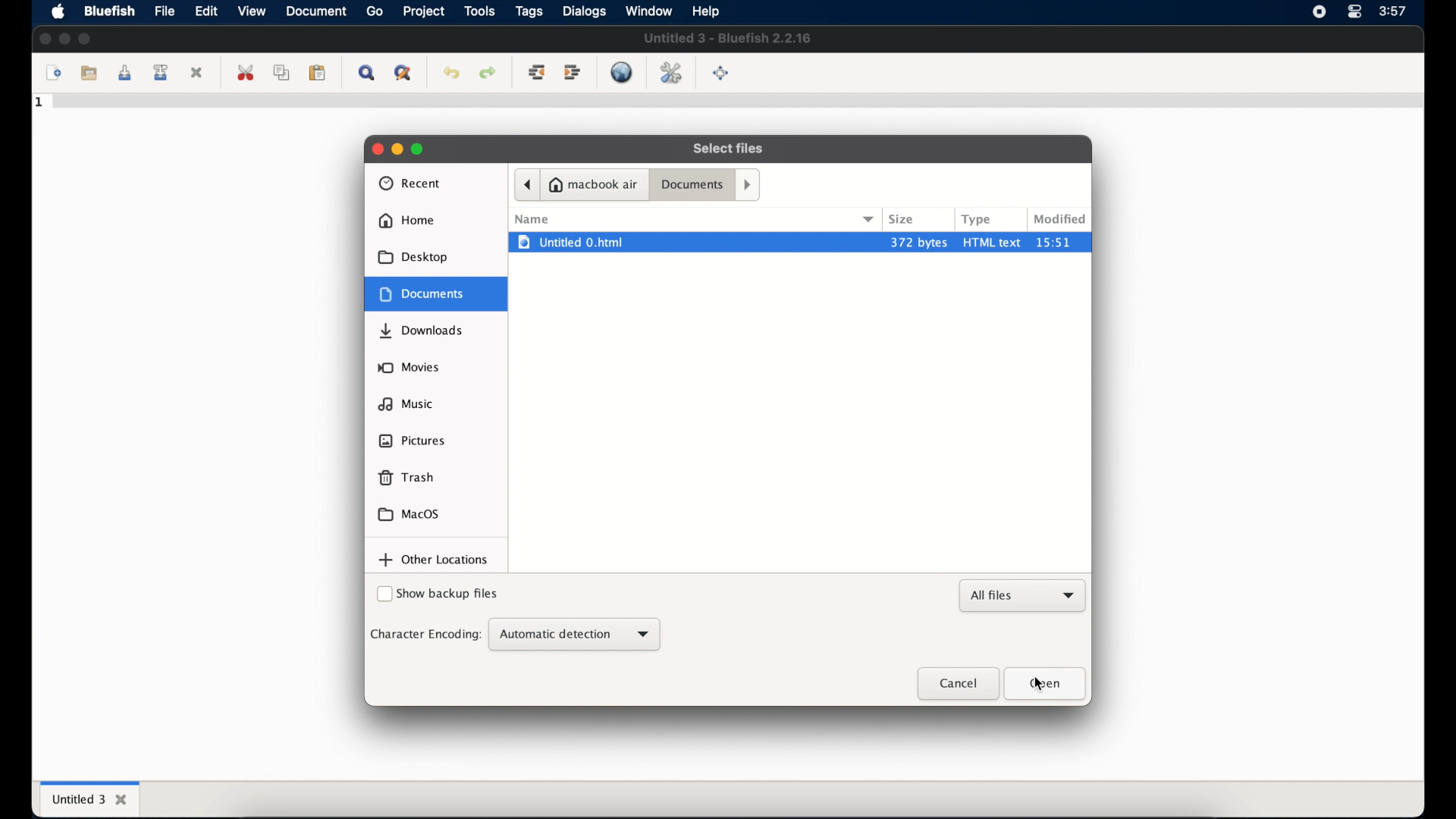 The height and width of the screenshot is (819, 1456). I want to click on undo , so click(451, 74).